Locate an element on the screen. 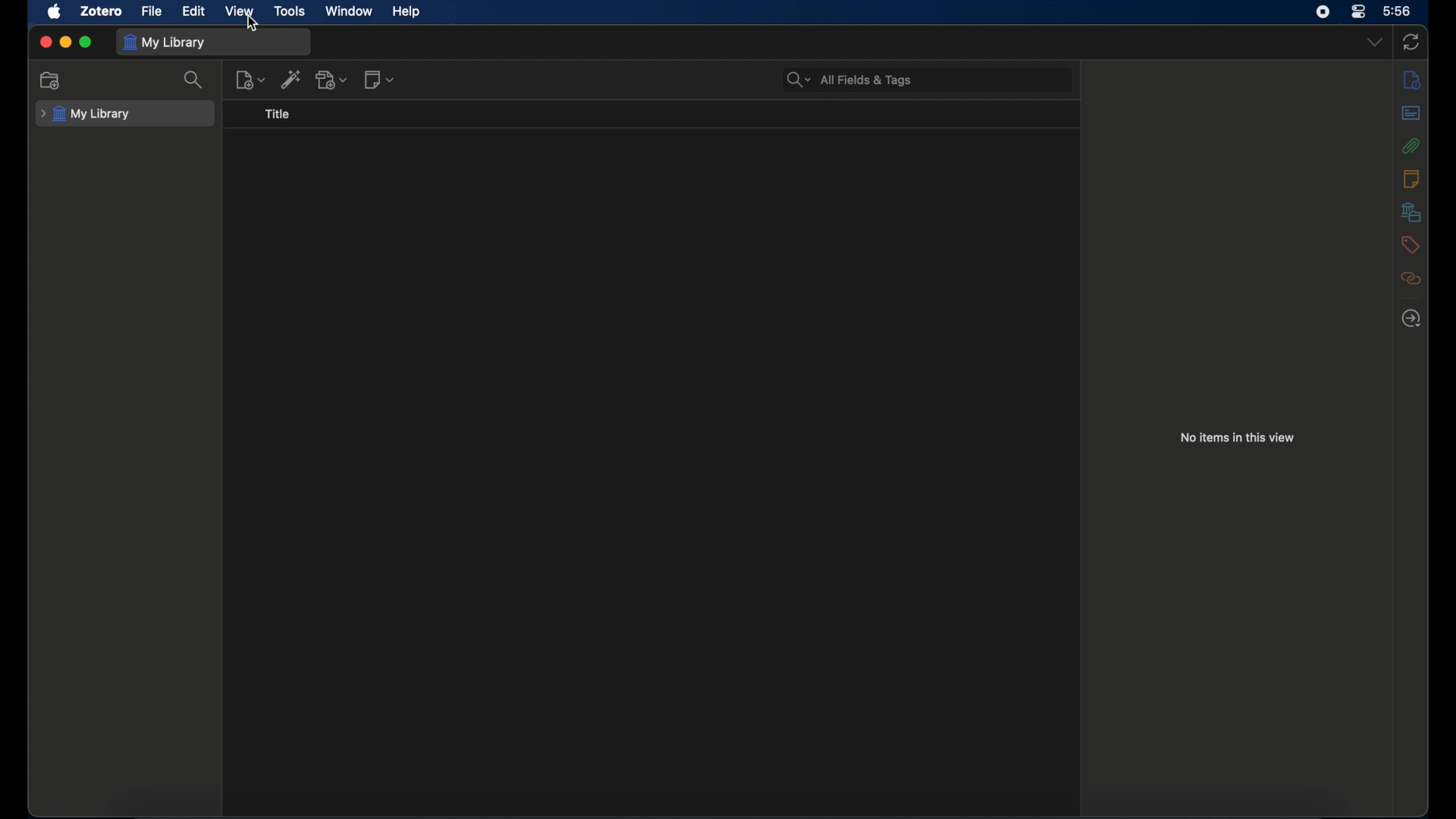 This screenshot has height=819, width=1456. minimize is located at coordinates (65, 42).